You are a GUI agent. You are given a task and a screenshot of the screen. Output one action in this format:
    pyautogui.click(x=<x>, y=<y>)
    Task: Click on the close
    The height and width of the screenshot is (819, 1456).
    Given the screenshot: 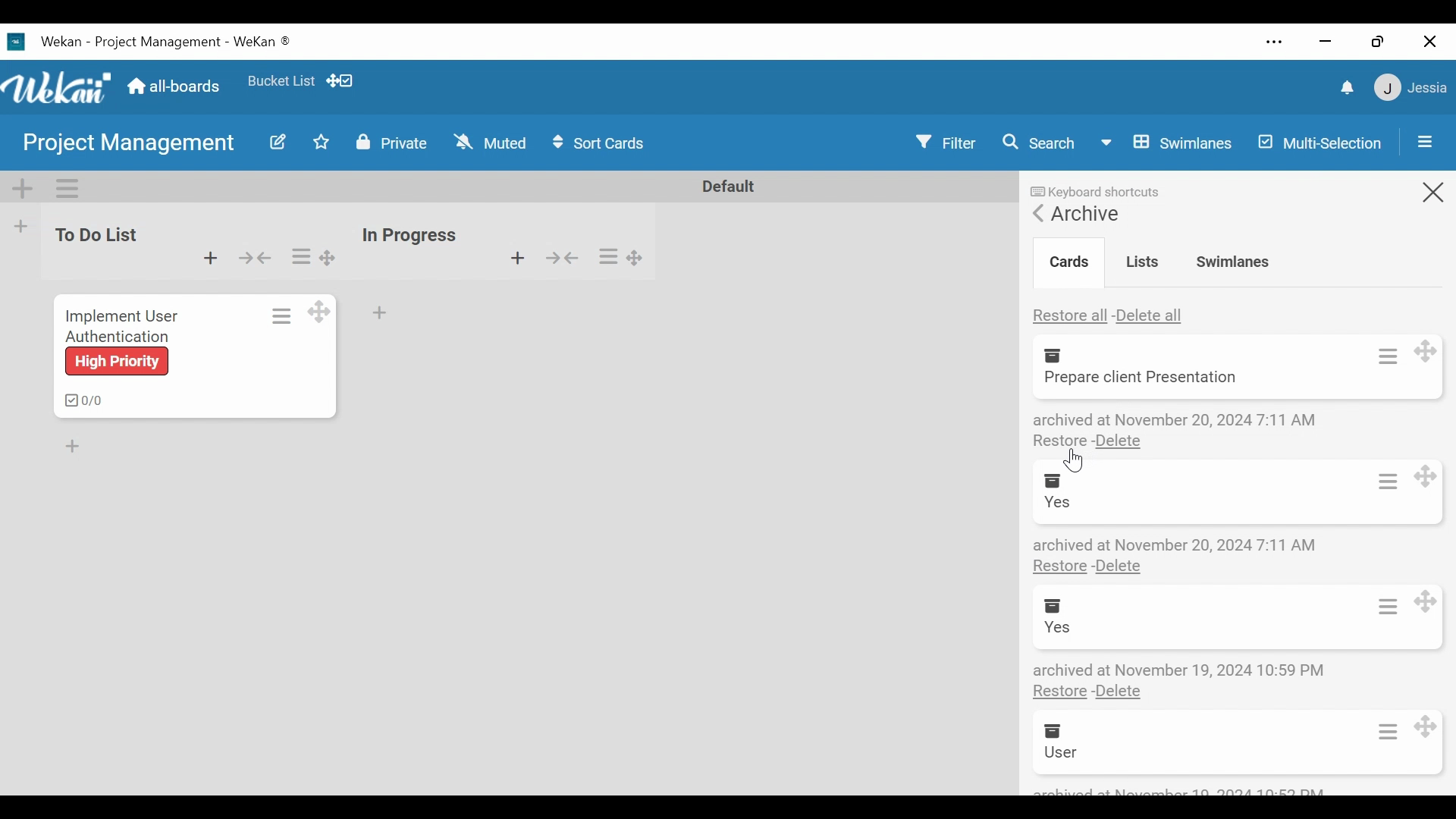 What is the action you would take?
    pyautogui.click(x=1430, y=42)
    